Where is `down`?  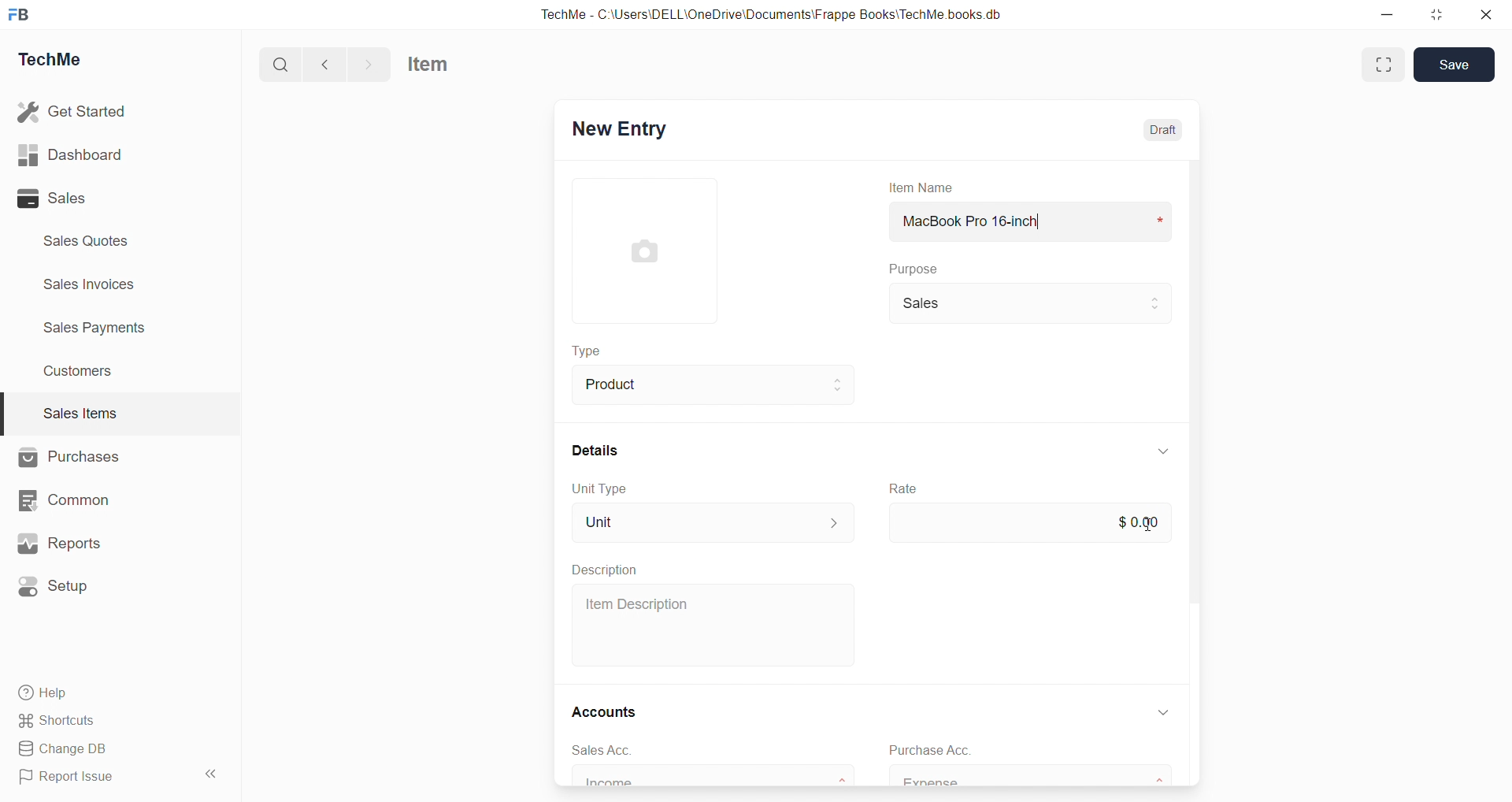 down is located at coordinates (1165, 713).